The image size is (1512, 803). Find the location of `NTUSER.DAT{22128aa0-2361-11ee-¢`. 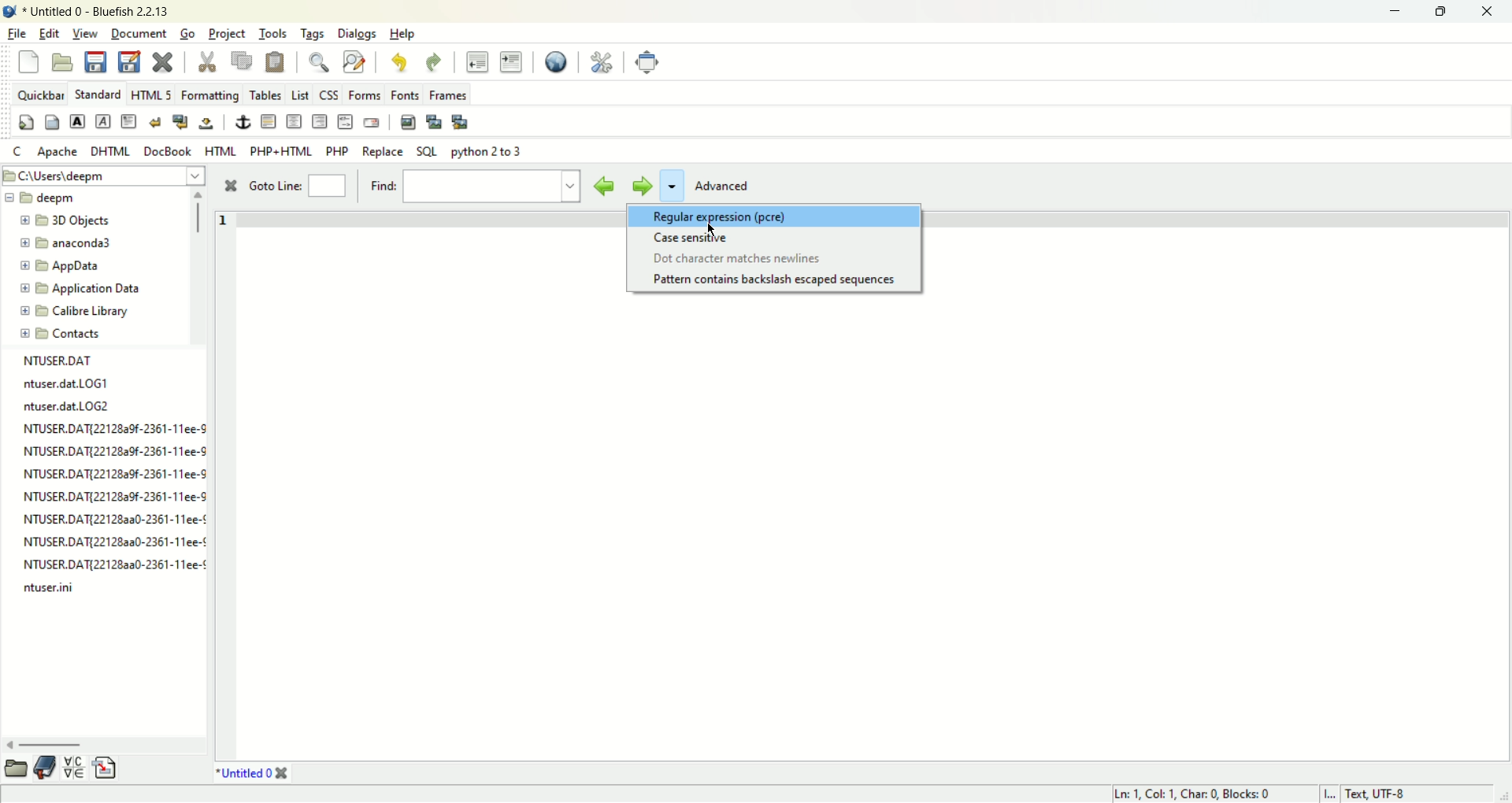

NTUSER.DAT{22128aa0-2361-11ee-¢ is located at coordinates (113, 541).